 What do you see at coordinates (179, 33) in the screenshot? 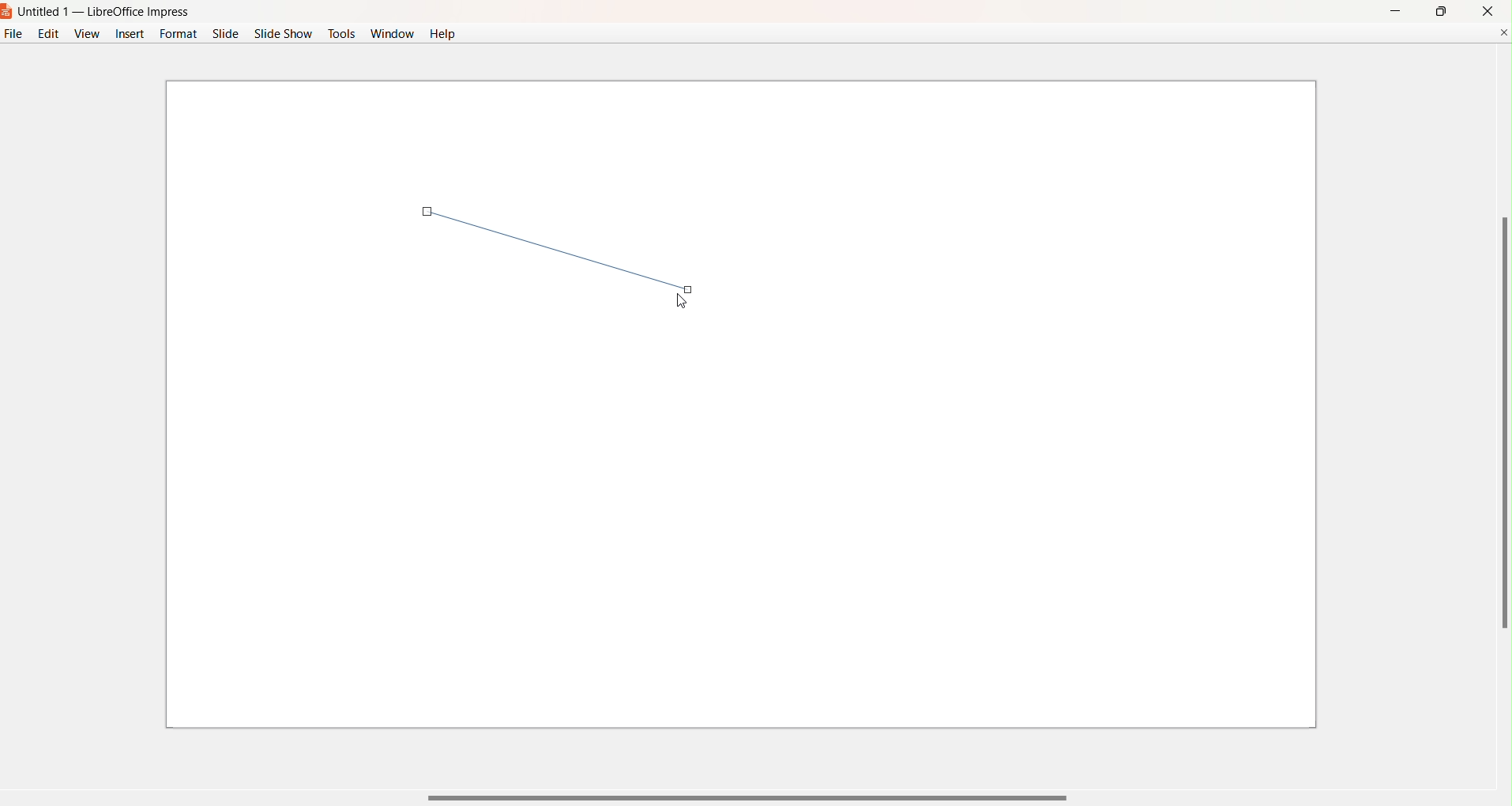
I see `Format` at bounding box center [179, 33].